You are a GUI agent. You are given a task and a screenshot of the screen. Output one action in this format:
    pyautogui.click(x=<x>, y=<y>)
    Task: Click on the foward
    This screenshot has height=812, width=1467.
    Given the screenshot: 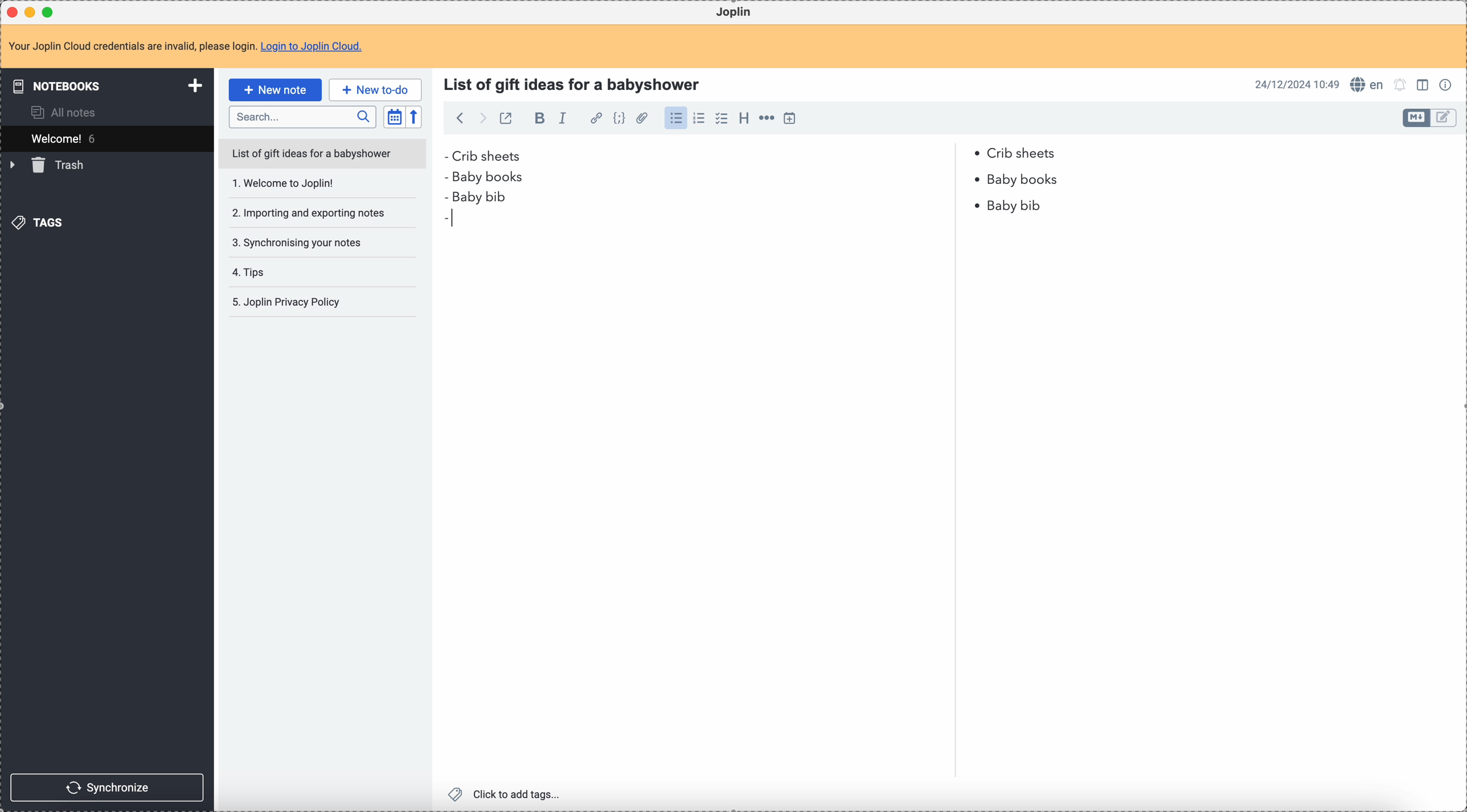 What is the action you would take?
    pyautogui.click(x=483, y=118)
    